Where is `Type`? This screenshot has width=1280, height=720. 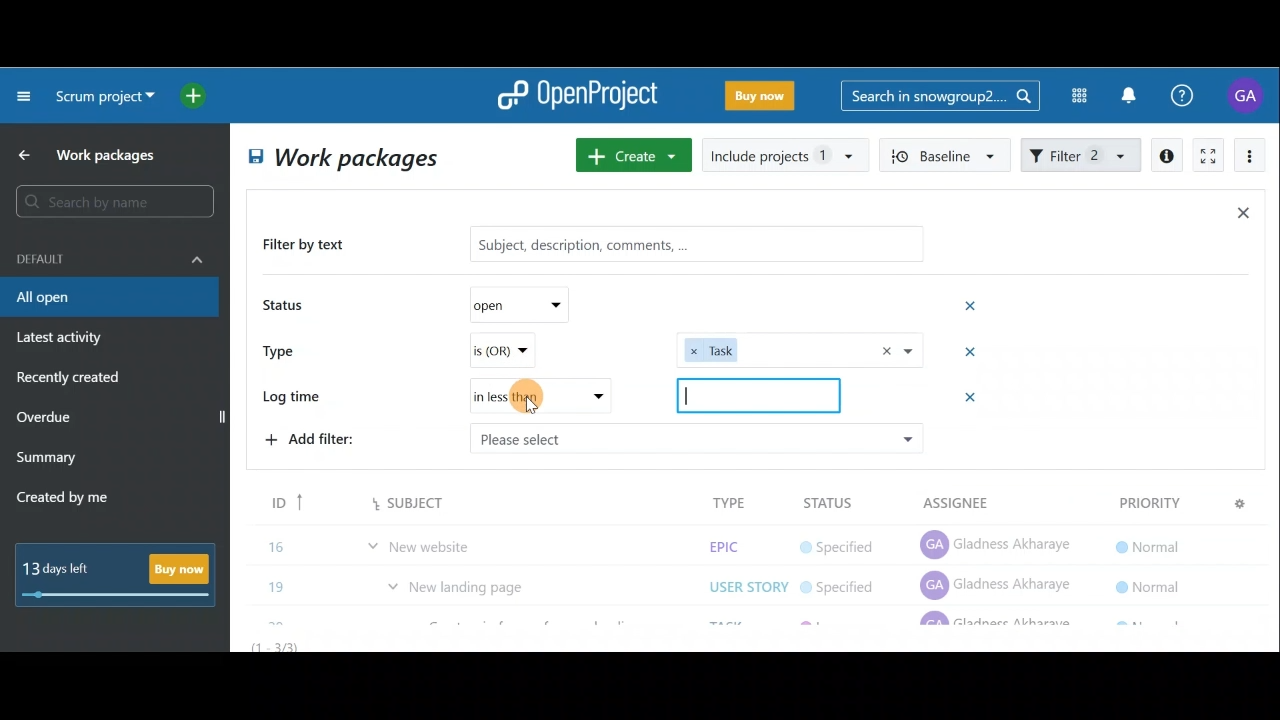 Type is located at coordinates (286, 349).